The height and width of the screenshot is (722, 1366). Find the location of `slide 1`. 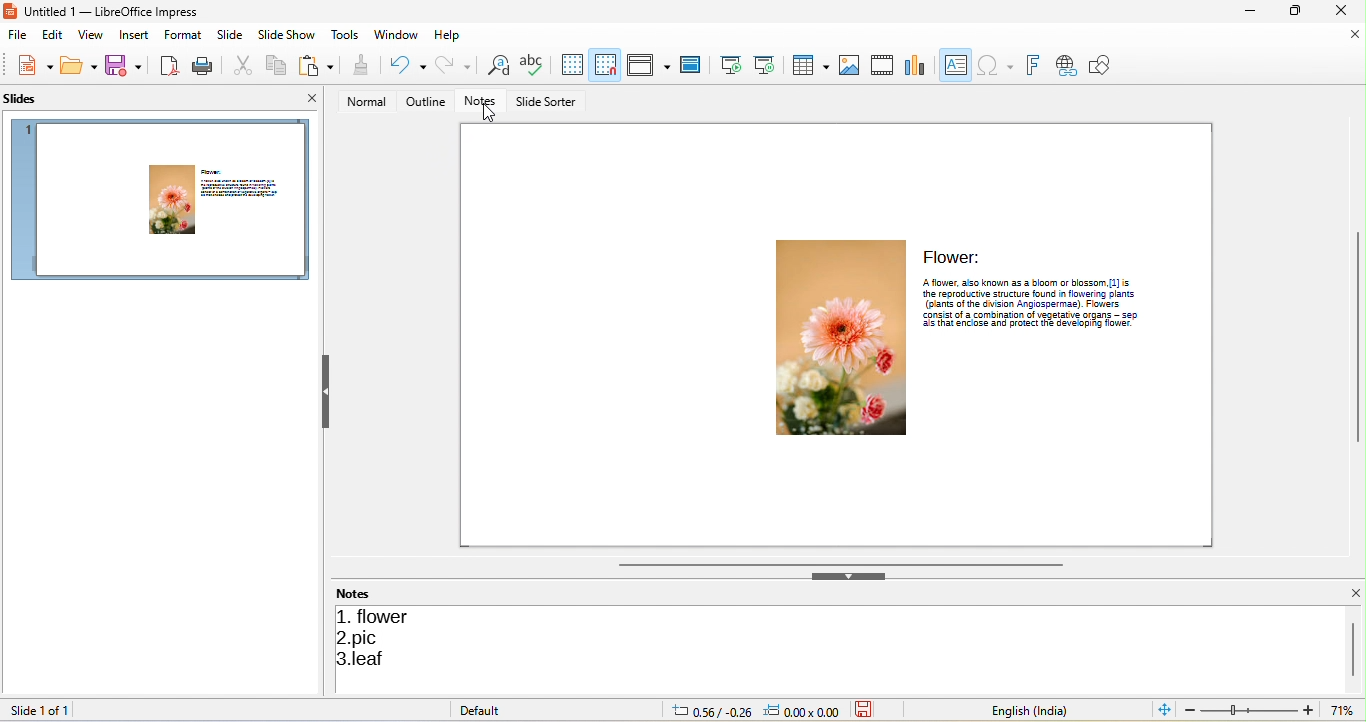

slide 1 is located at coordinates (164, 199).